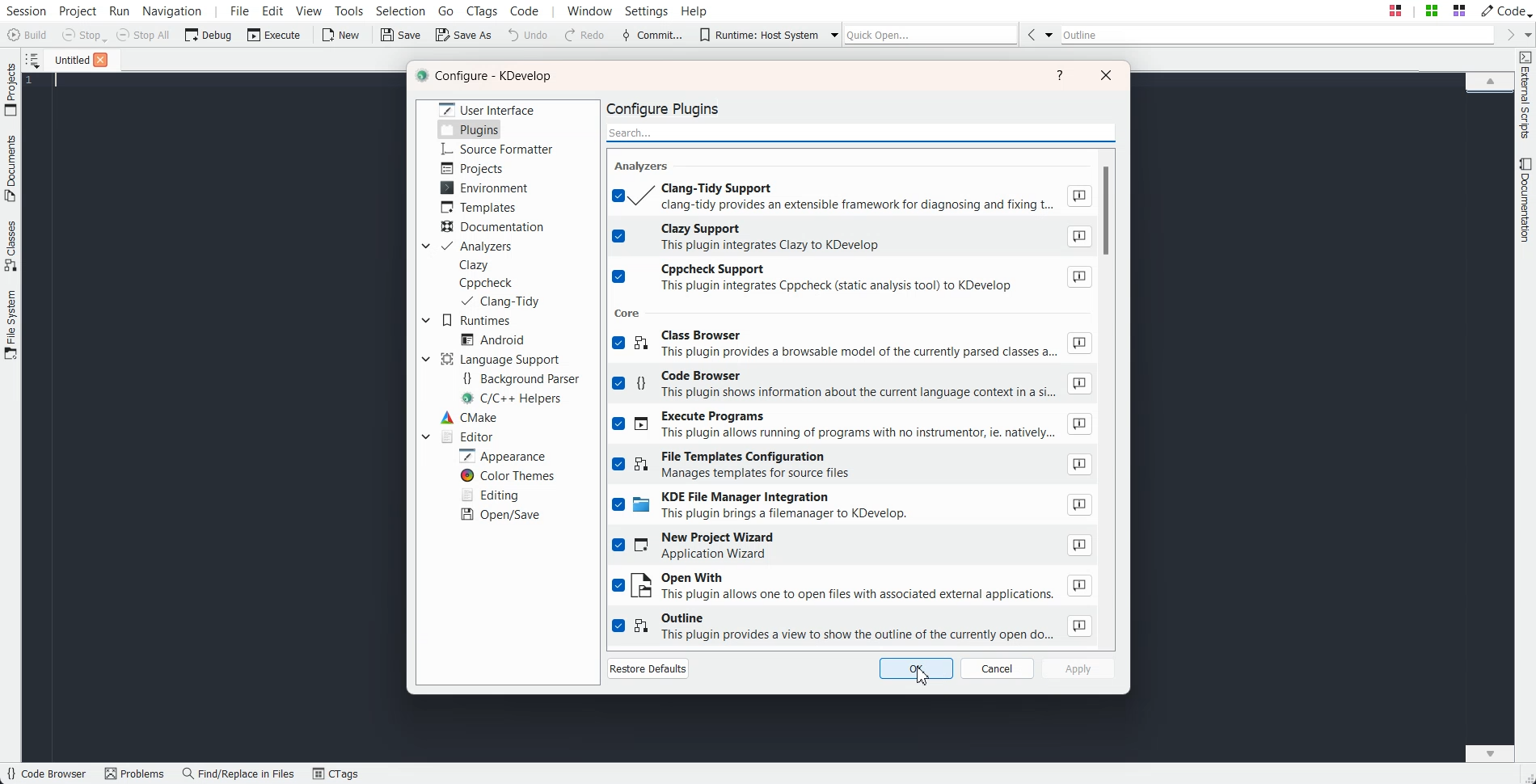  I want to click on Editor, so click(466, 436).